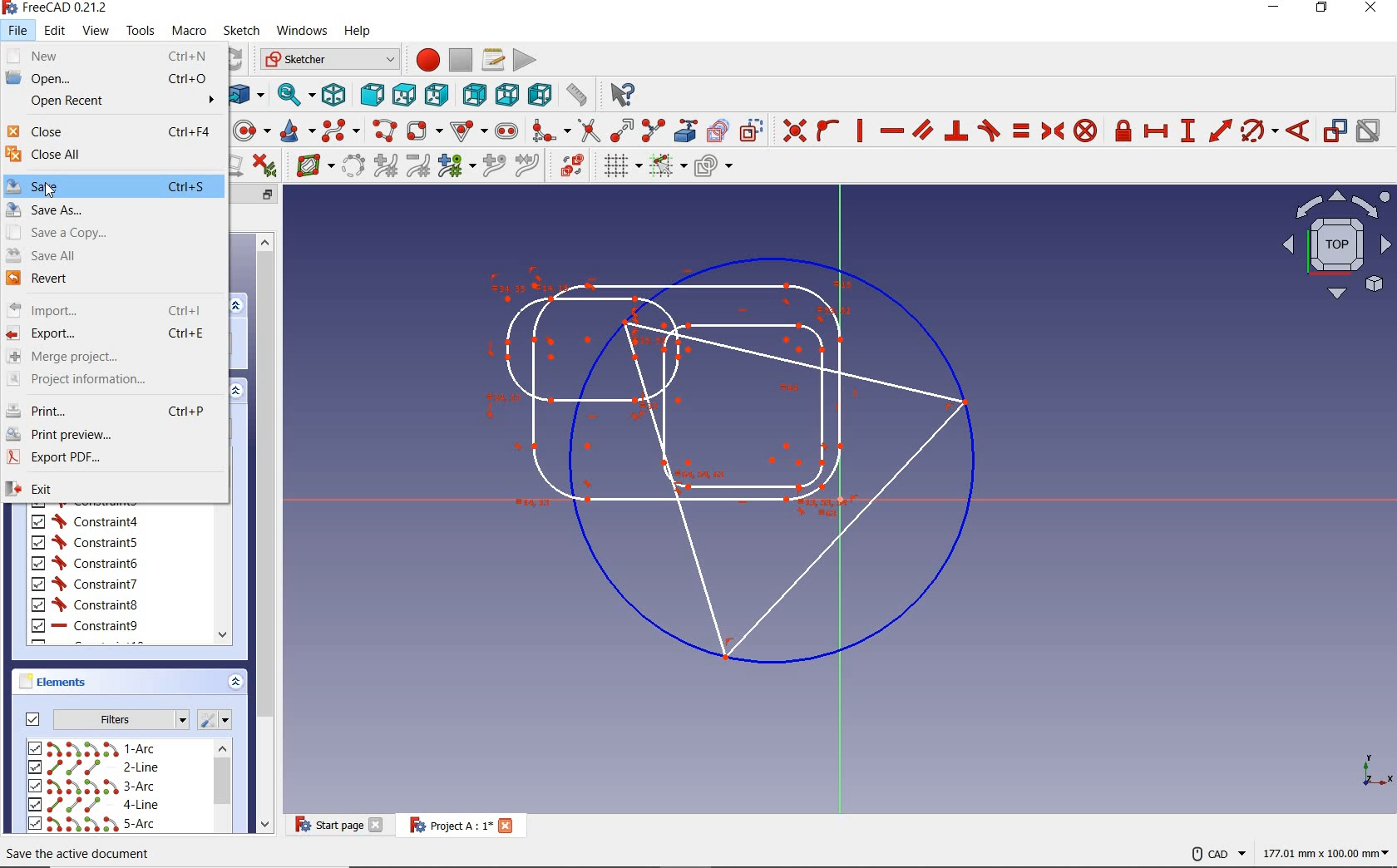  I want to click on 3-arc, so click(92, 787).